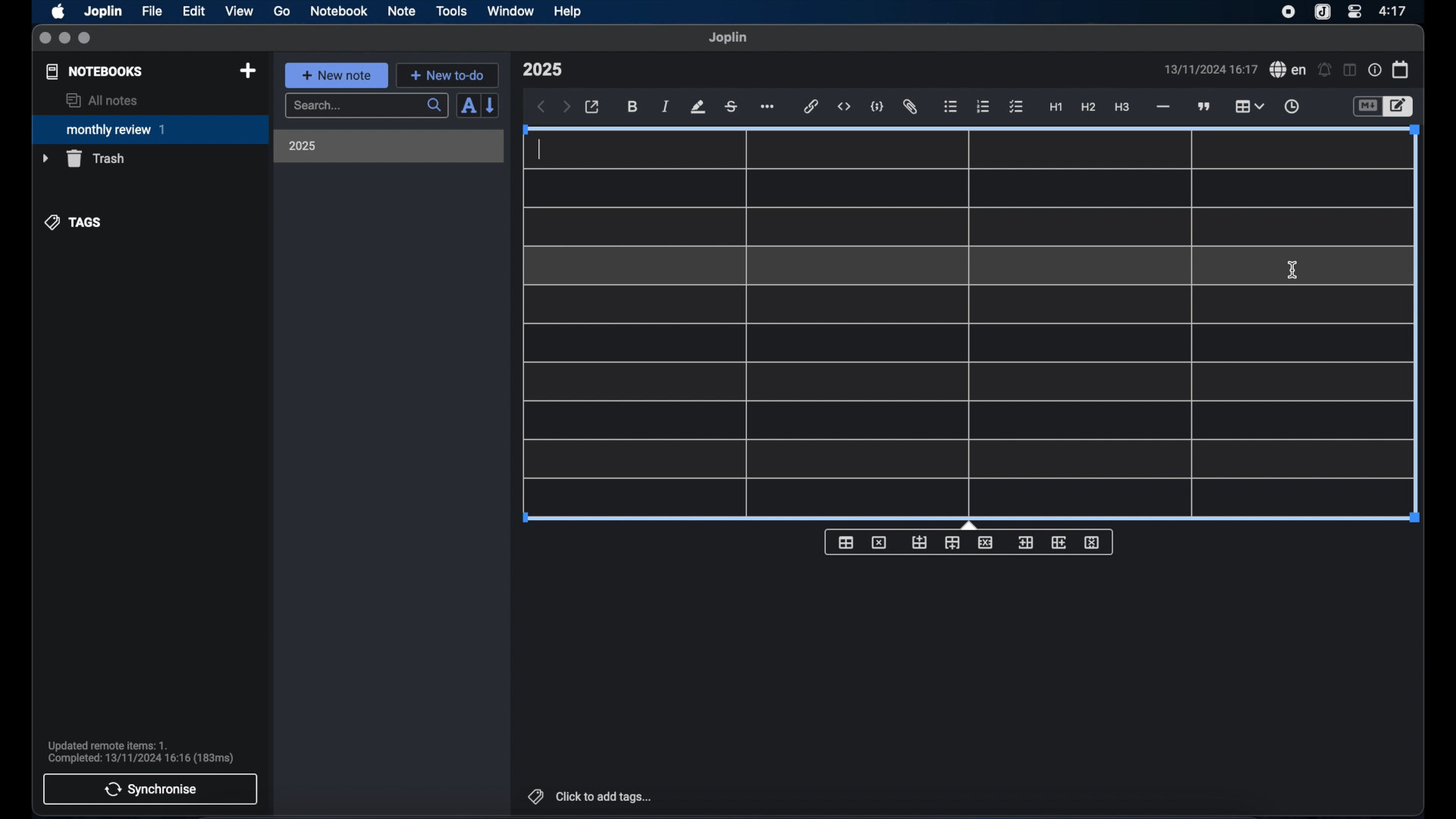 Image resolution: width=1456 pixels, height=819 pixels. I want to click on table highlighted, so click(1247, 106).